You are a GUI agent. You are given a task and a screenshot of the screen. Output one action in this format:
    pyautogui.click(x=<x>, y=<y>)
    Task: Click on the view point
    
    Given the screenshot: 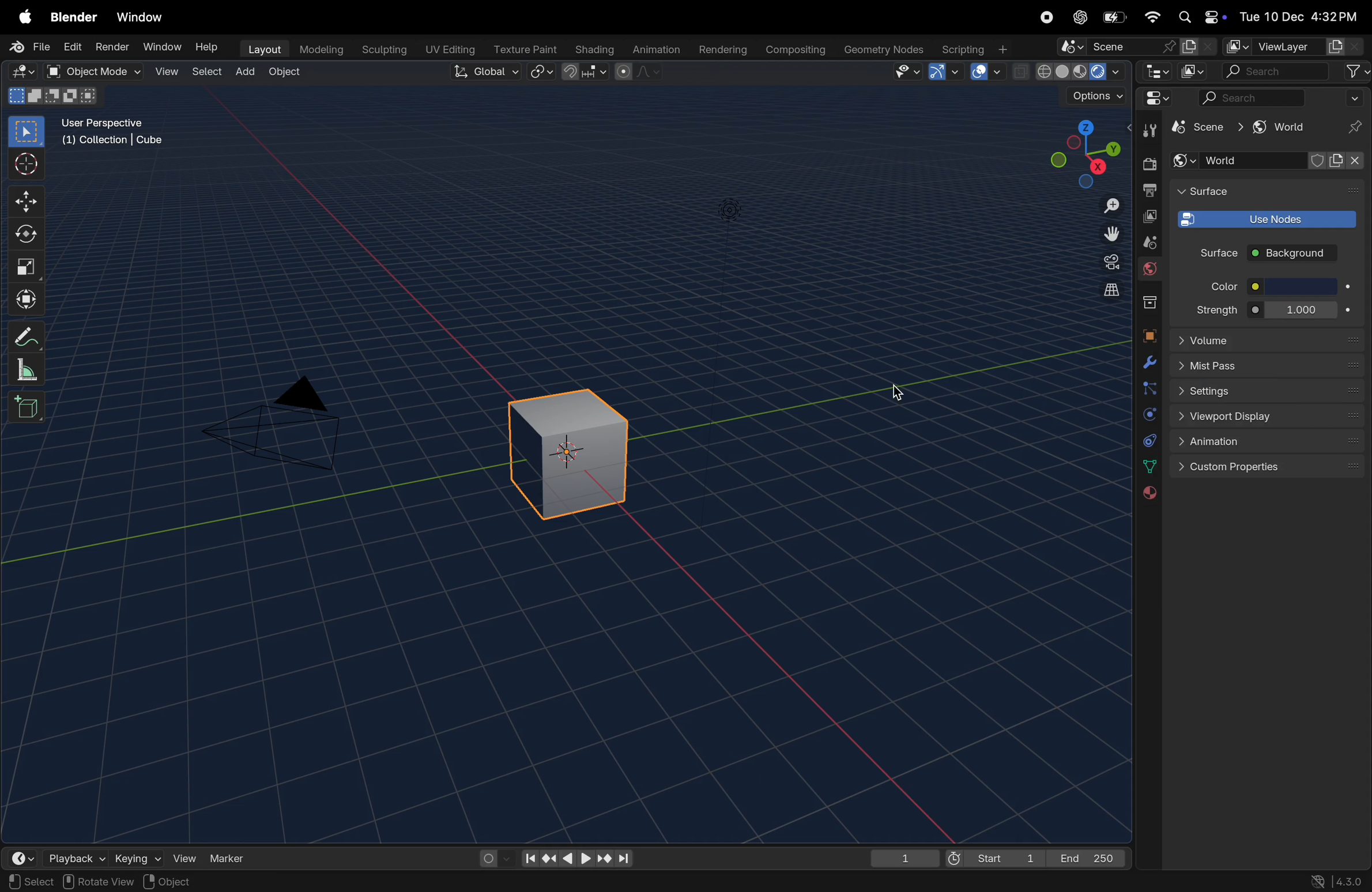 What is the action you would take?
    pyautogui.click(x=1083, y=152)
    